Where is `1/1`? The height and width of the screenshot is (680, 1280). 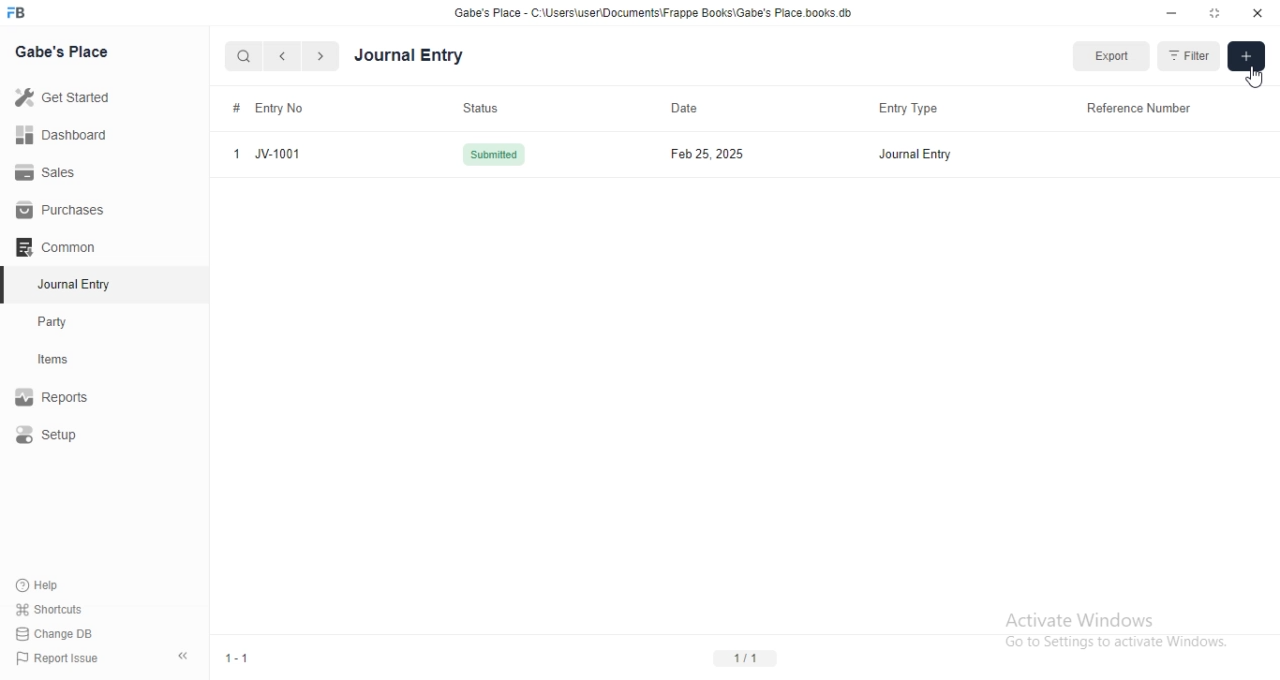 1/1 is located at coordinates (749, 659).